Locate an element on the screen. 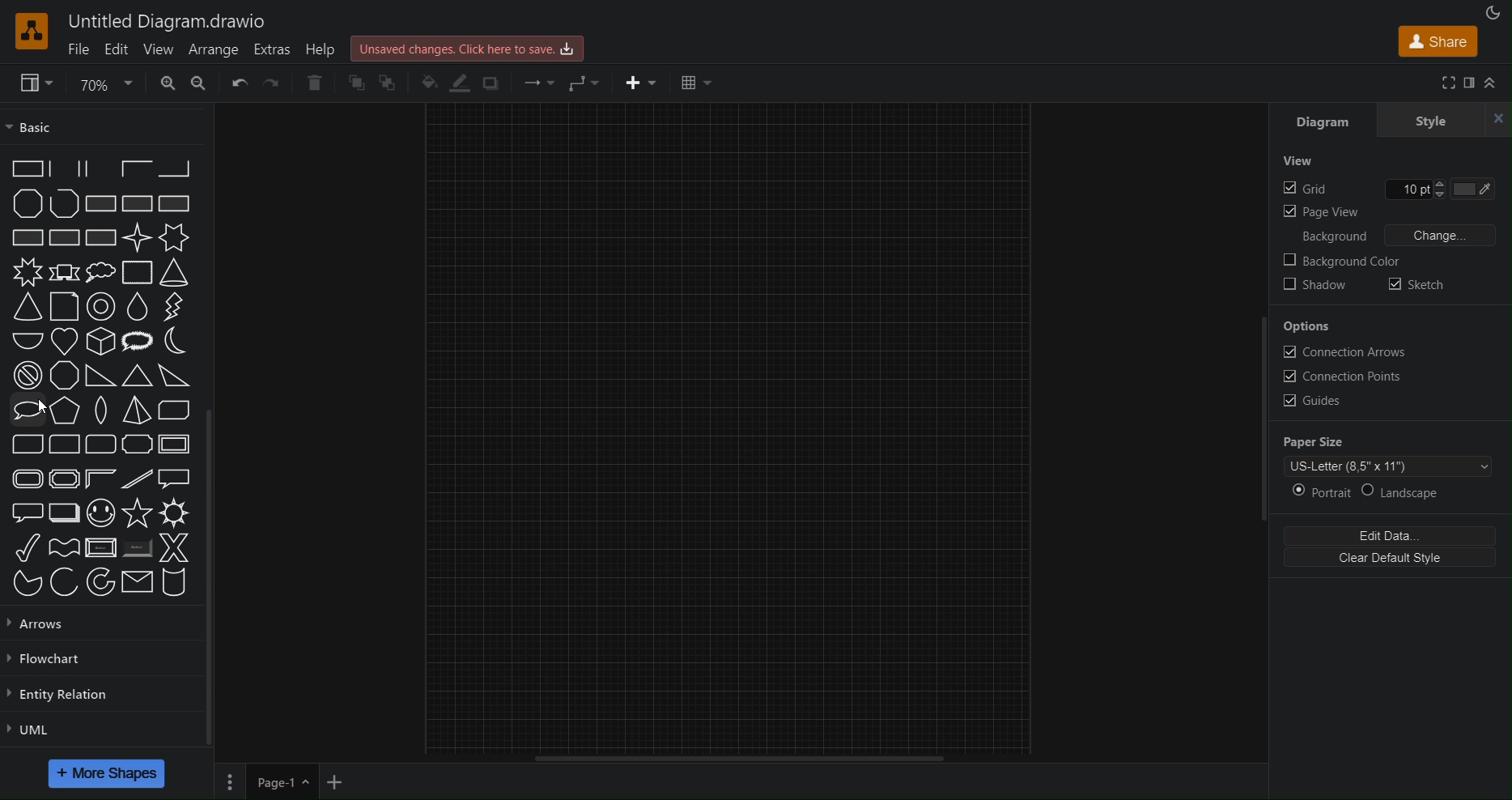 The width and height of the screenshot is (1512, 800). Guides is located at coordinates (1310, 401).